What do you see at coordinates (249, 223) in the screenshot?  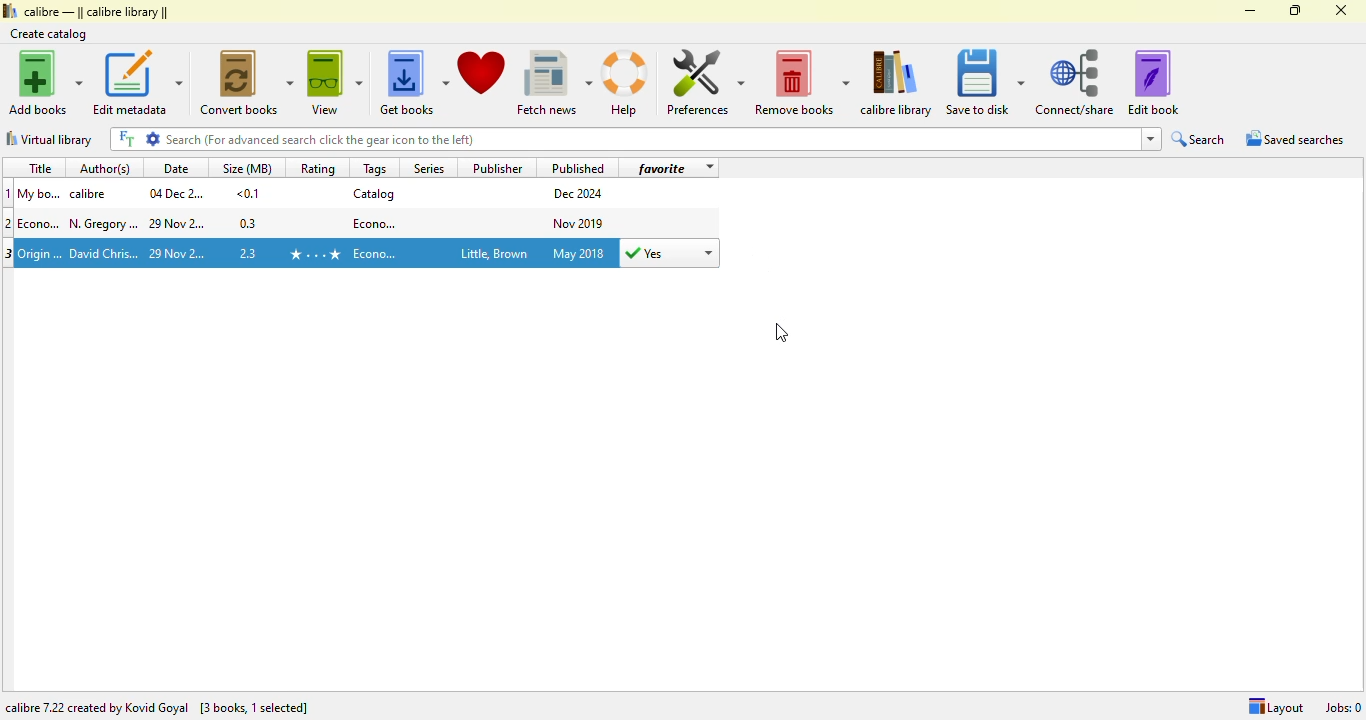 I see `size` at bounding box center [249, 223].